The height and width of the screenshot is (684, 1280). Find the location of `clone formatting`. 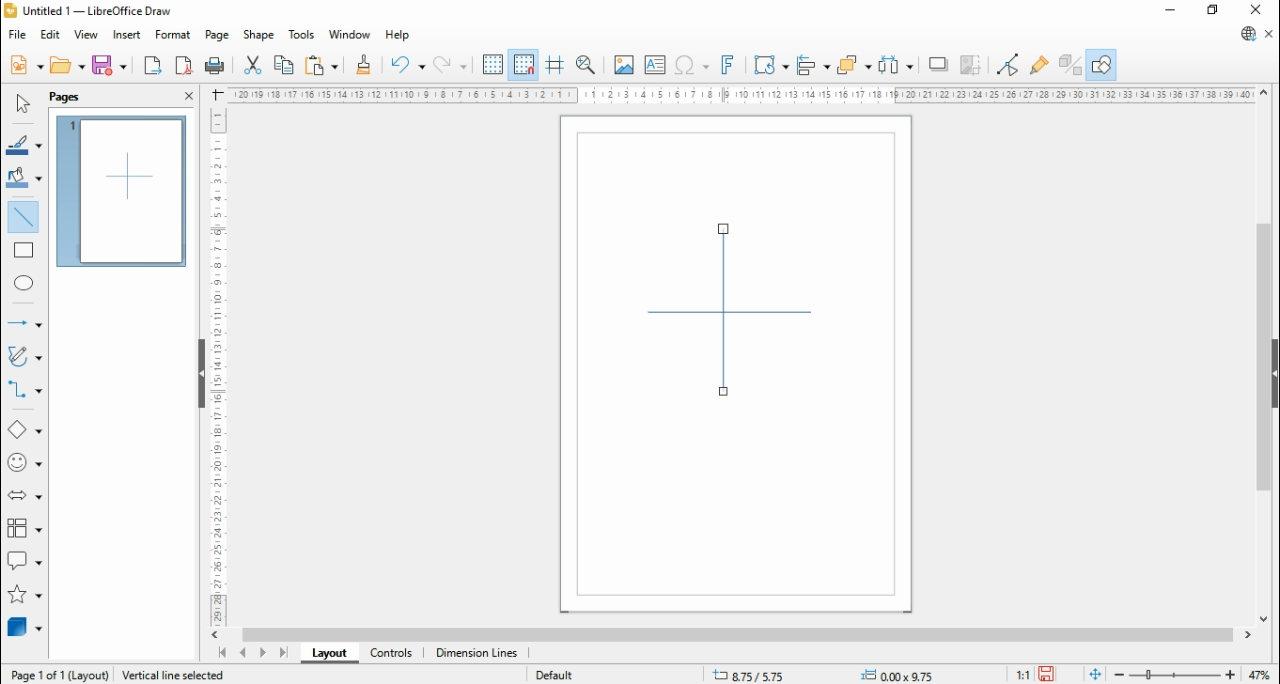

clone formatting is located at coordinates (362, 64).